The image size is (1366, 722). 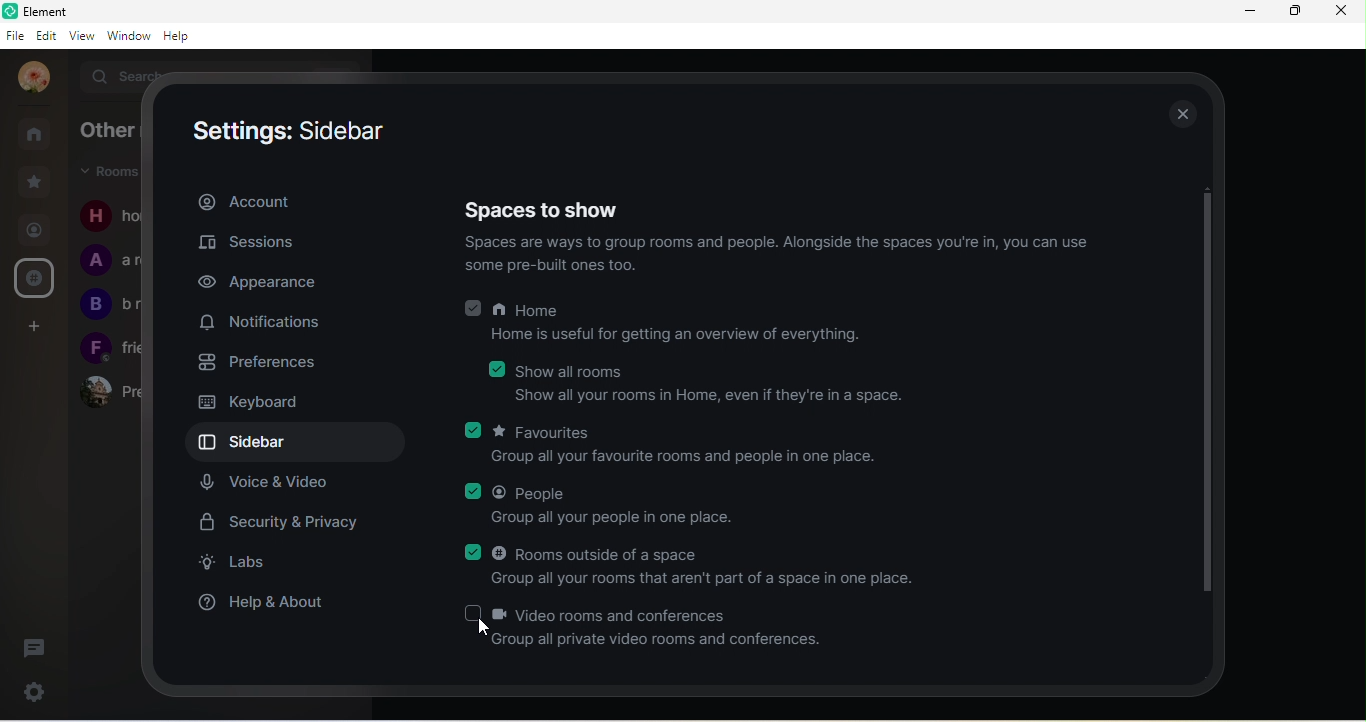 I want to click on show all room, so click(x=700, y=382).